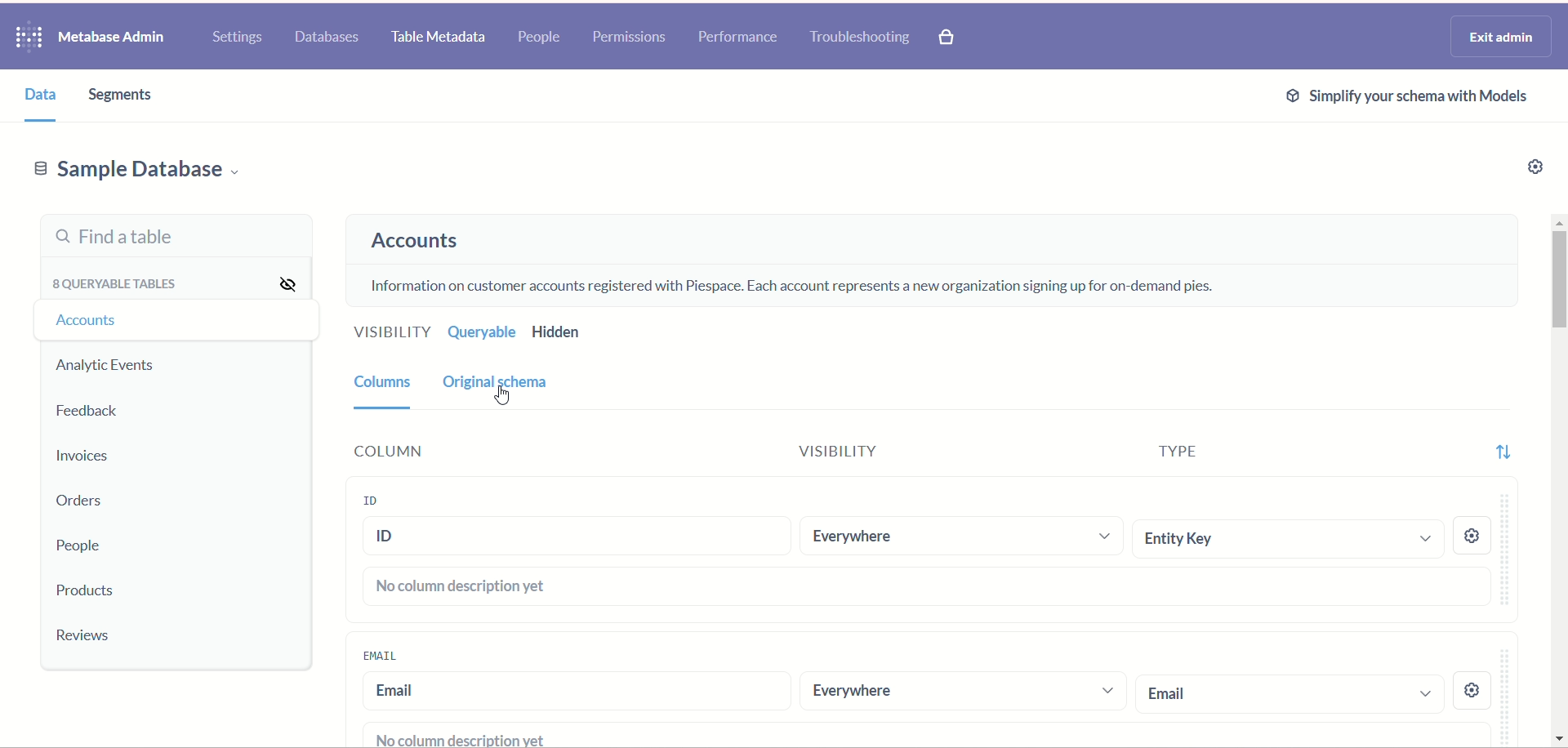  I want to click on permissions, so click(633, 37).